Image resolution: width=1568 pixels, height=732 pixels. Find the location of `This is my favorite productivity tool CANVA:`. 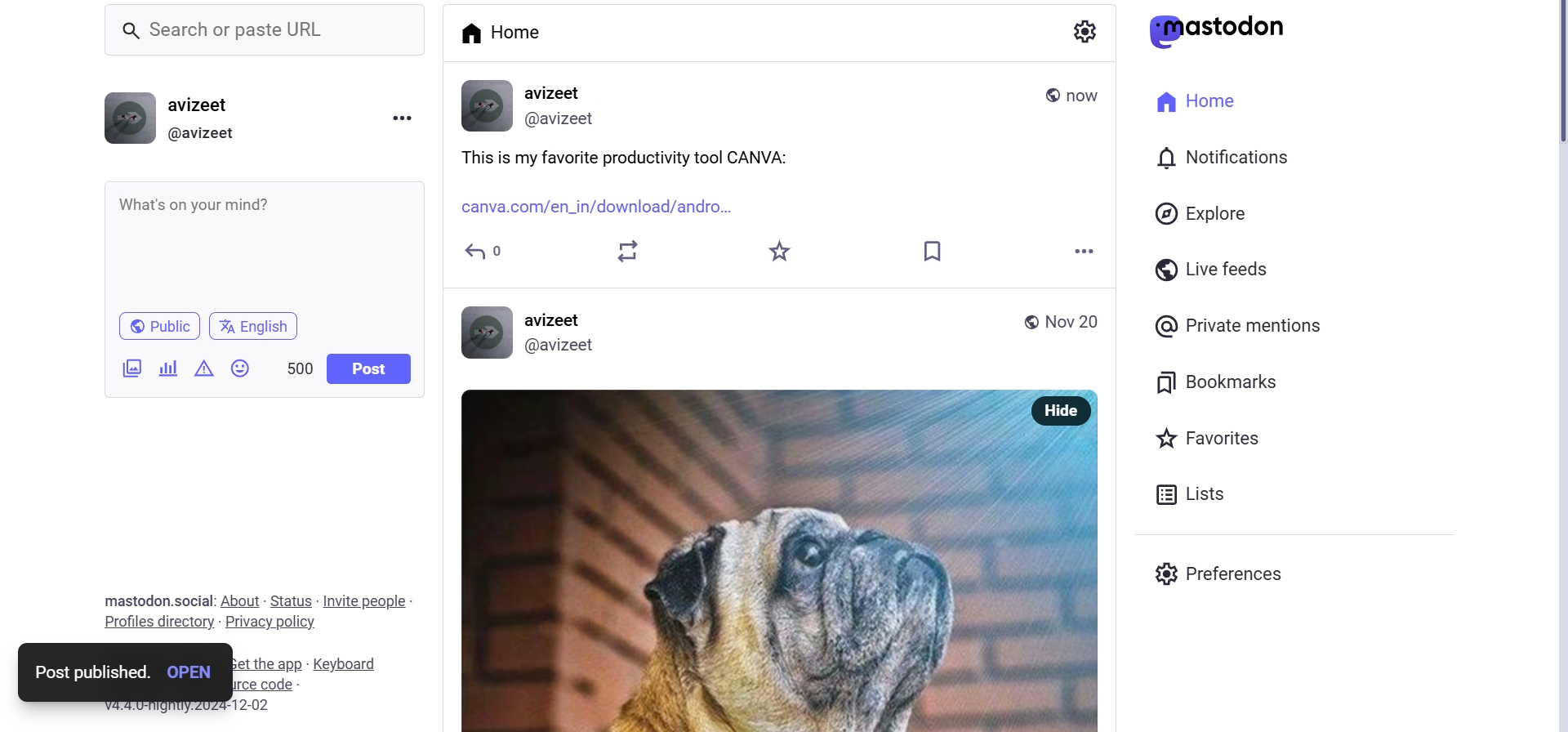

This is my favorite productivity tool CANVA: is located at coordinates (665, 156).